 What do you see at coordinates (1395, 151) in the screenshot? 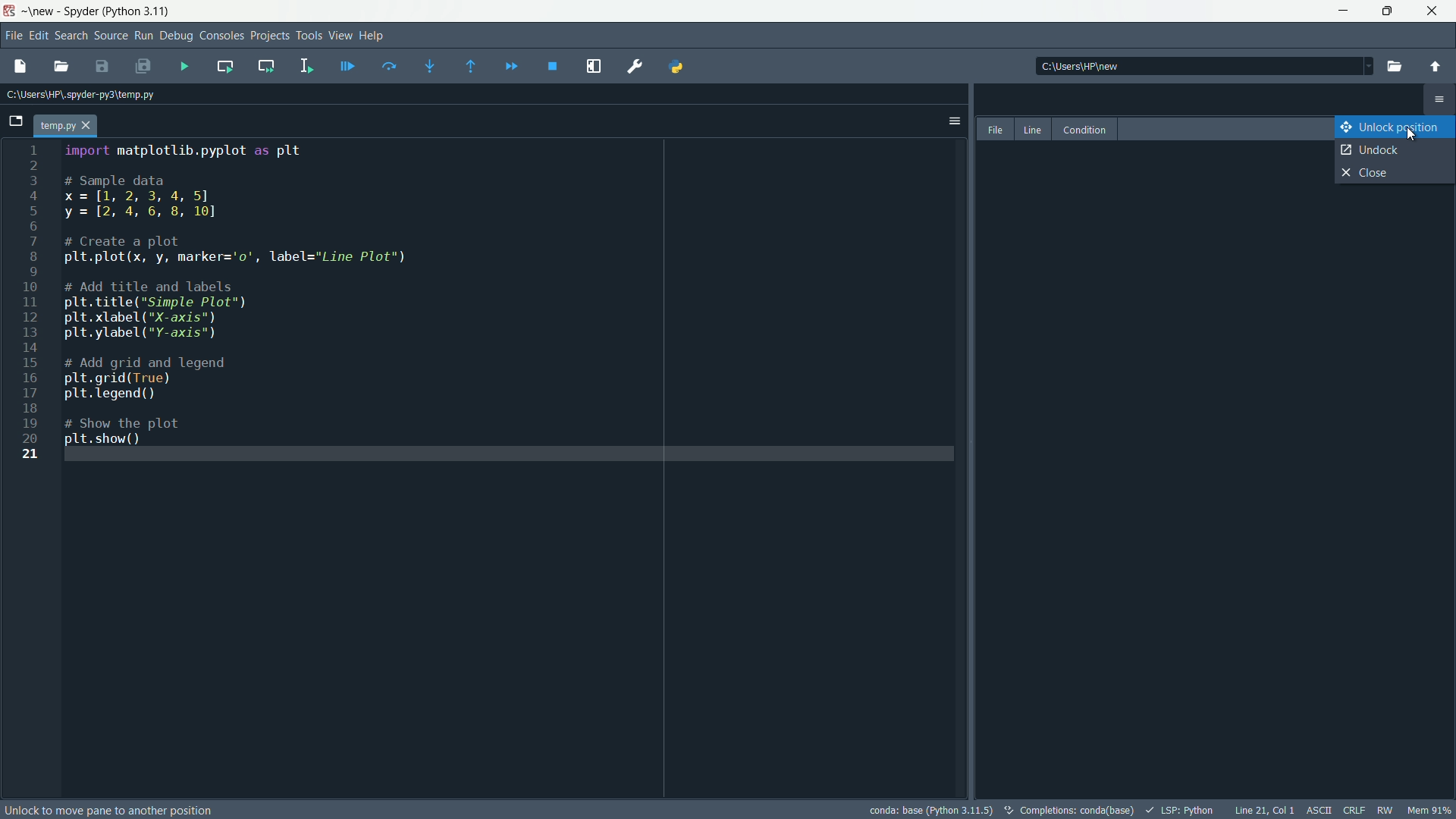
I see `undock` at bounding box center [1395, 151].